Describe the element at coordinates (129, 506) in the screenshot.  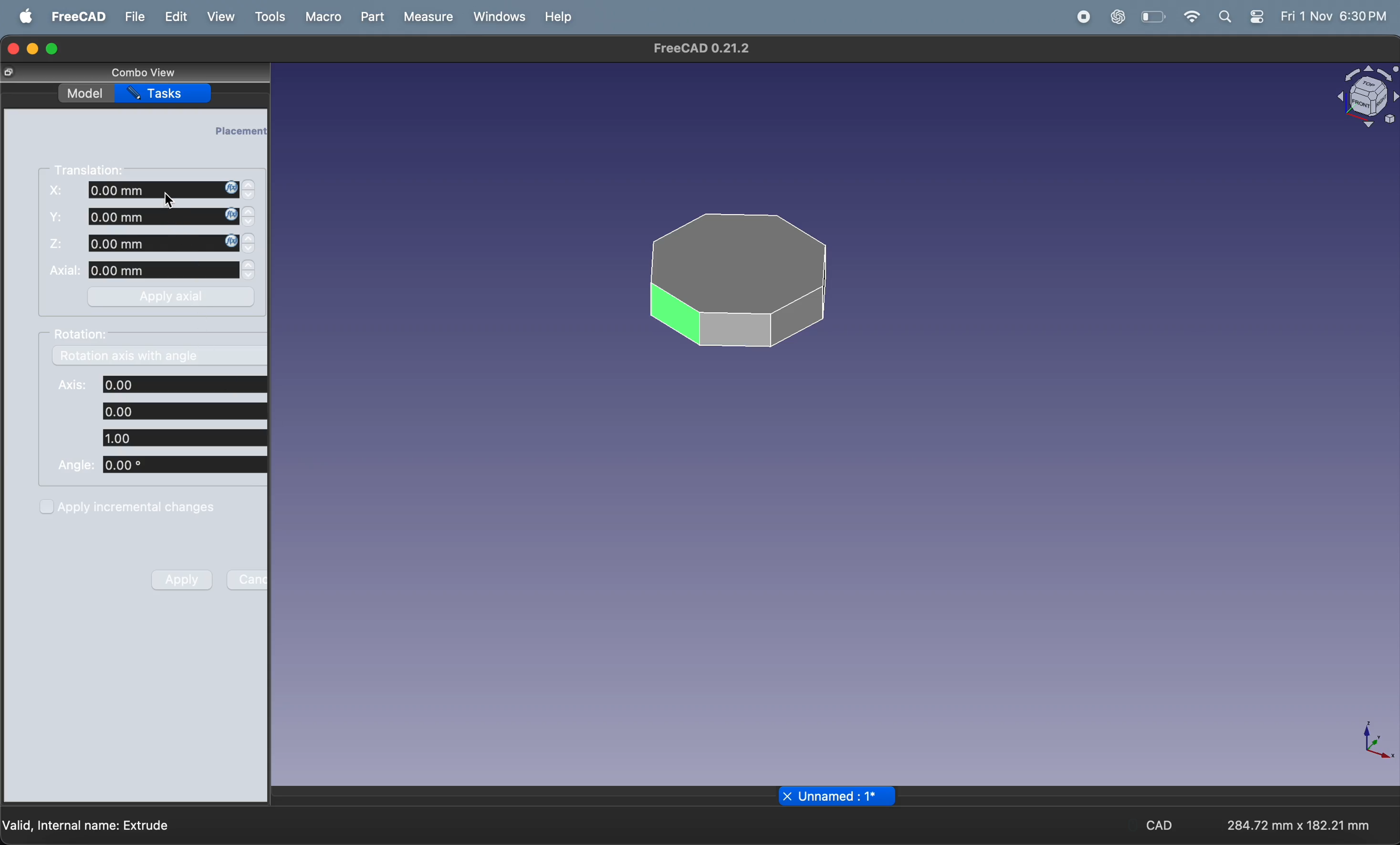
I see `Apply incremental changes` at that location.